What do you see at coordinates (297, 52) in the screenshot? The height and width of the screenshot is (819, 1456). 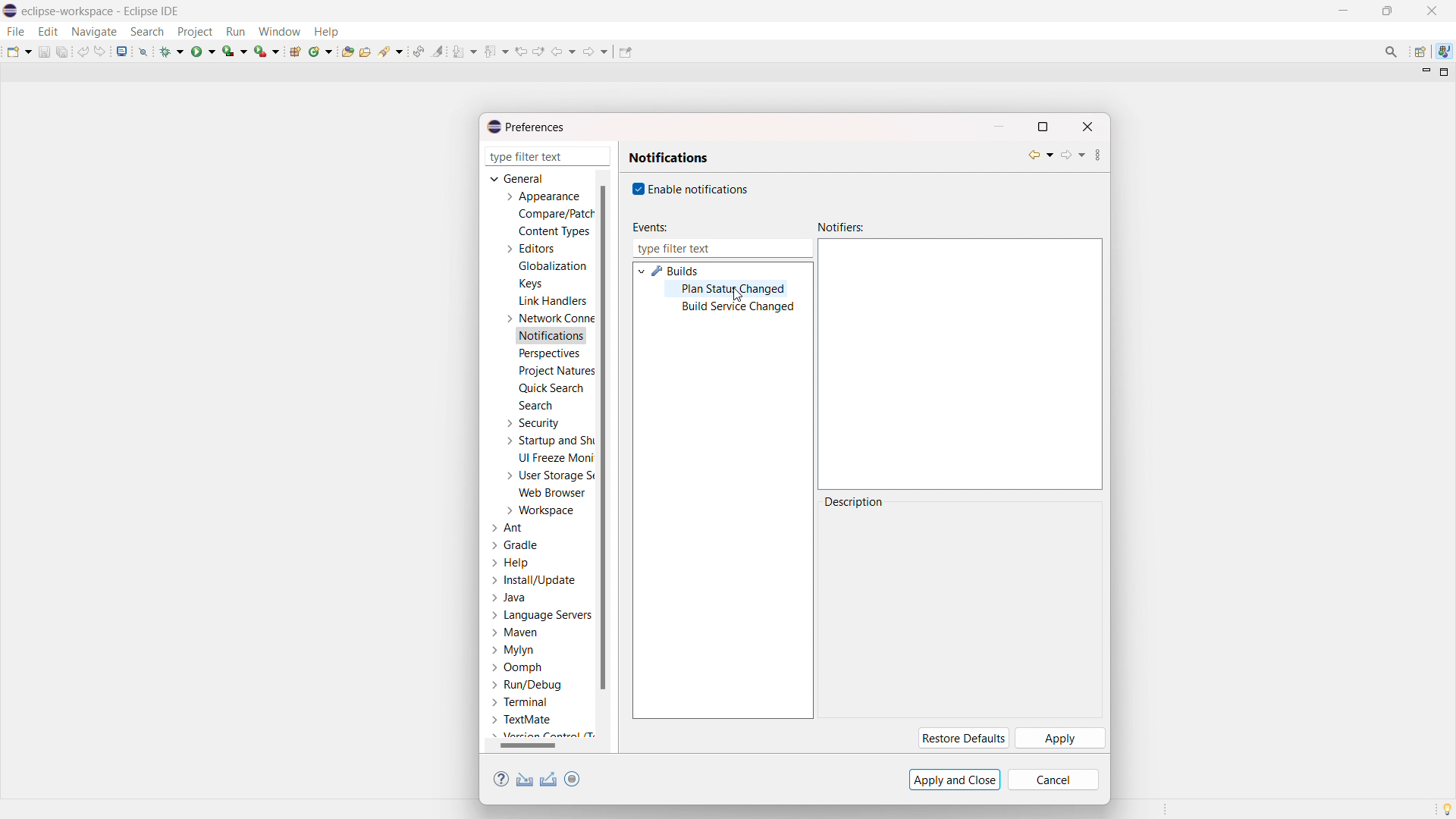 I see `new java project` at bounding box center [297, 52].